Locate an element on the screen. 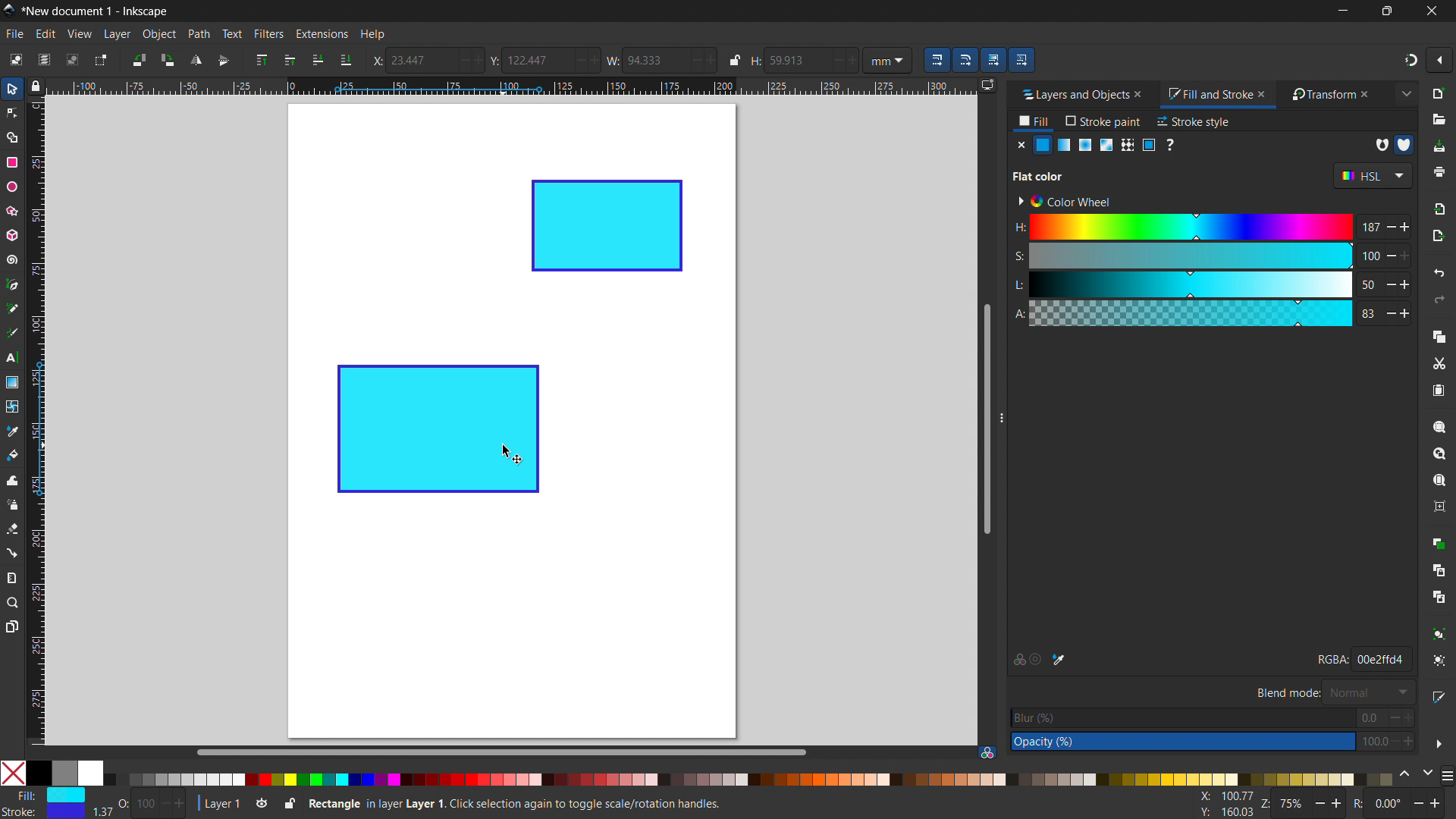 The height and width of the screenshot is (819, 1456). Solid Black is located at coordinates (39, 774).